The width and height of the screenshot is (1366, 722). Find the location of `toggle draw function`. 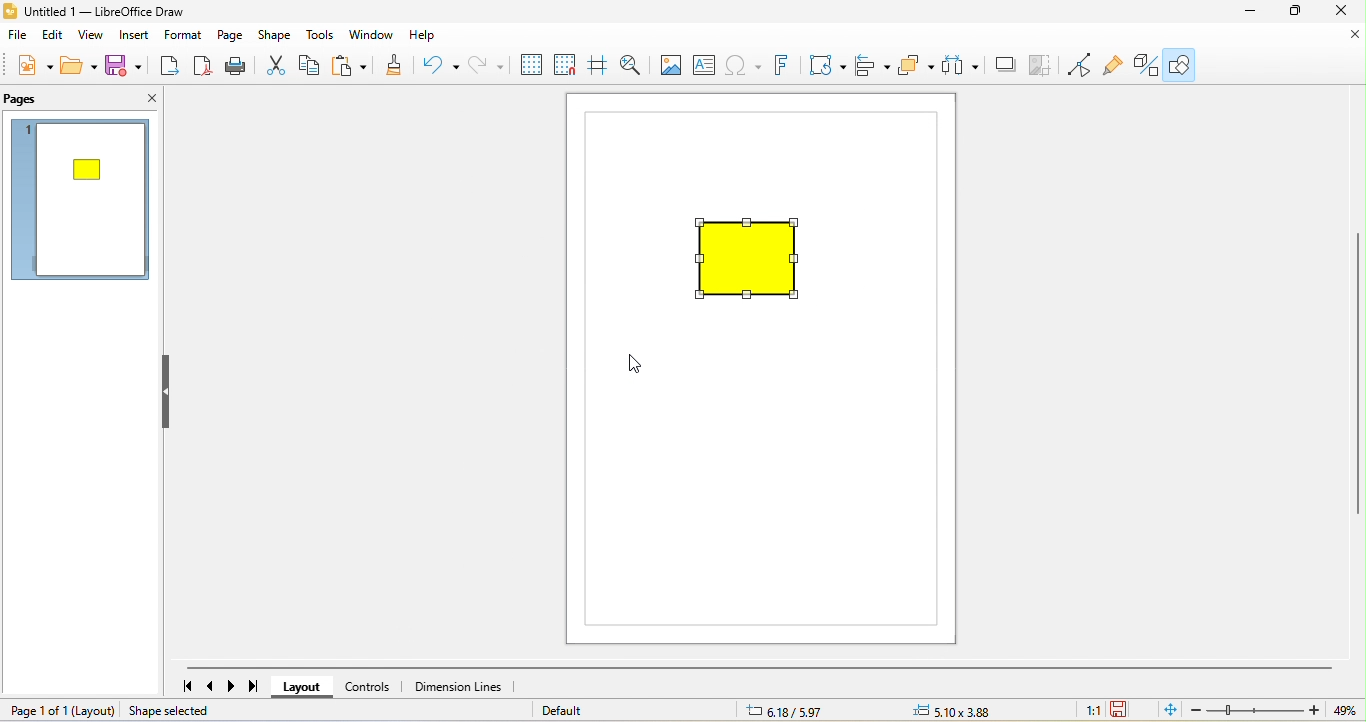

toggle draw function is located at coordinates (1144, 63).